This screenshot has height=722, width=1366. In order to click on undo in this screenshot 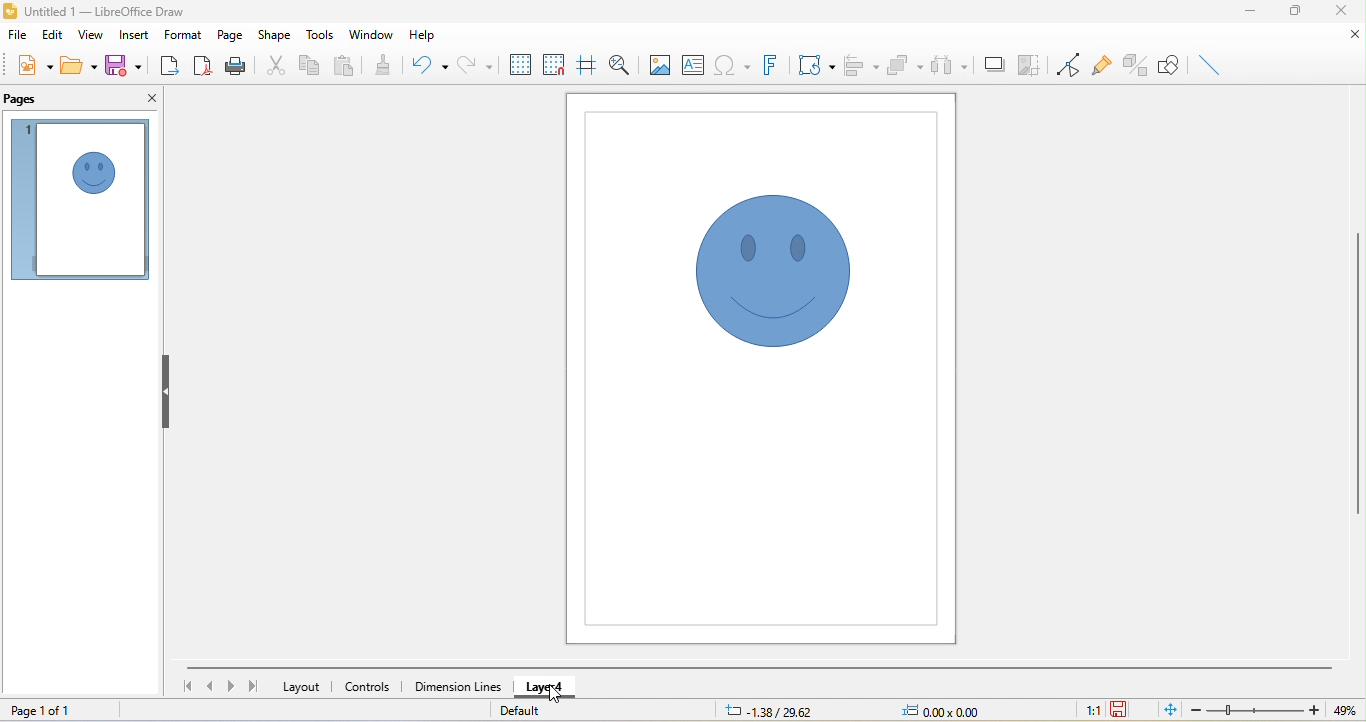, I will do `click(430, 67)`.